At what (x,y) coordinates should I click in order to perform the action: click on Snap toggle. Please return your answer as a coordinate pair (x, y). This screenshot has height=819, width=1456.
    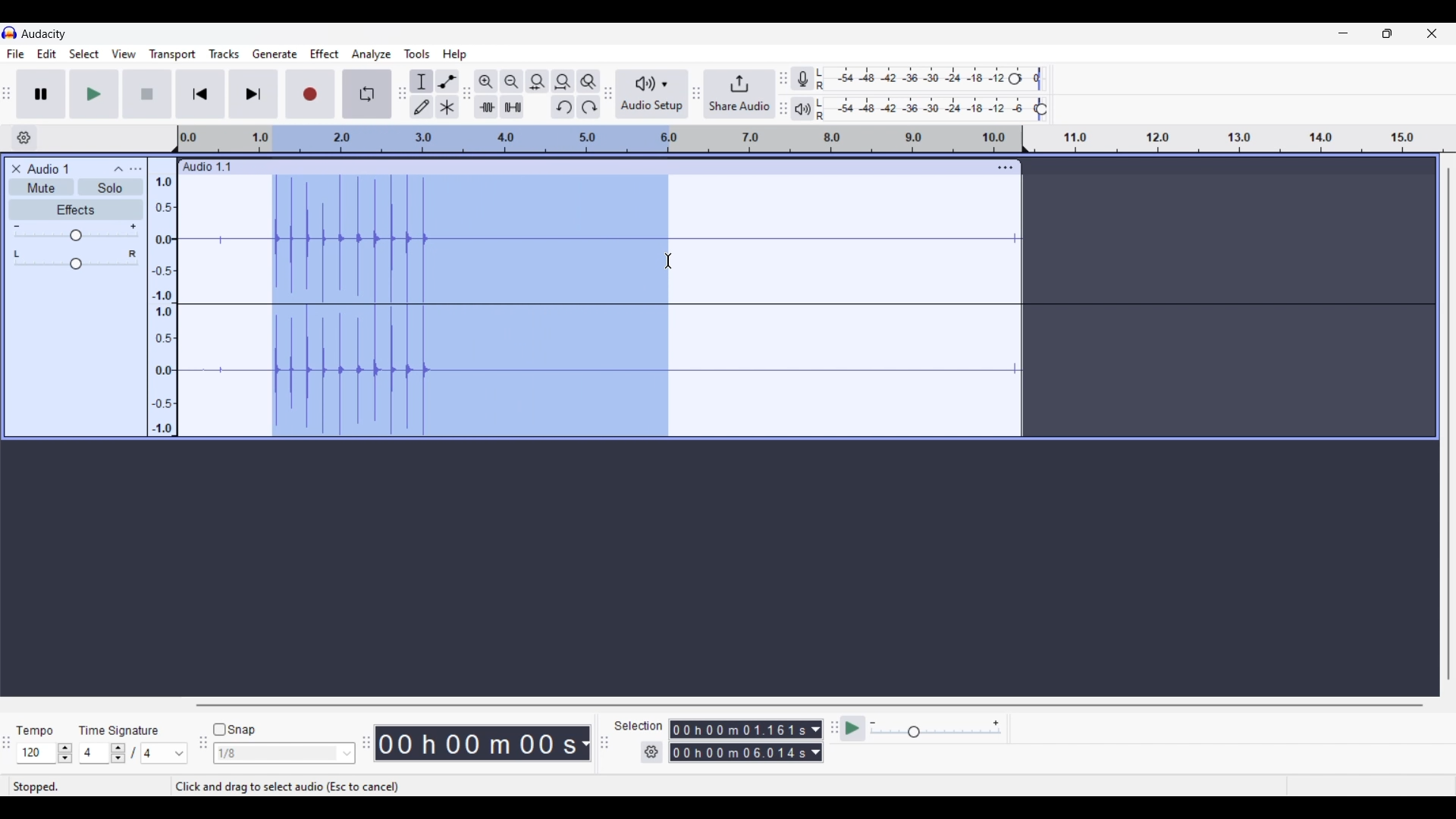
    Looking at the image, I should click on (234, 730).